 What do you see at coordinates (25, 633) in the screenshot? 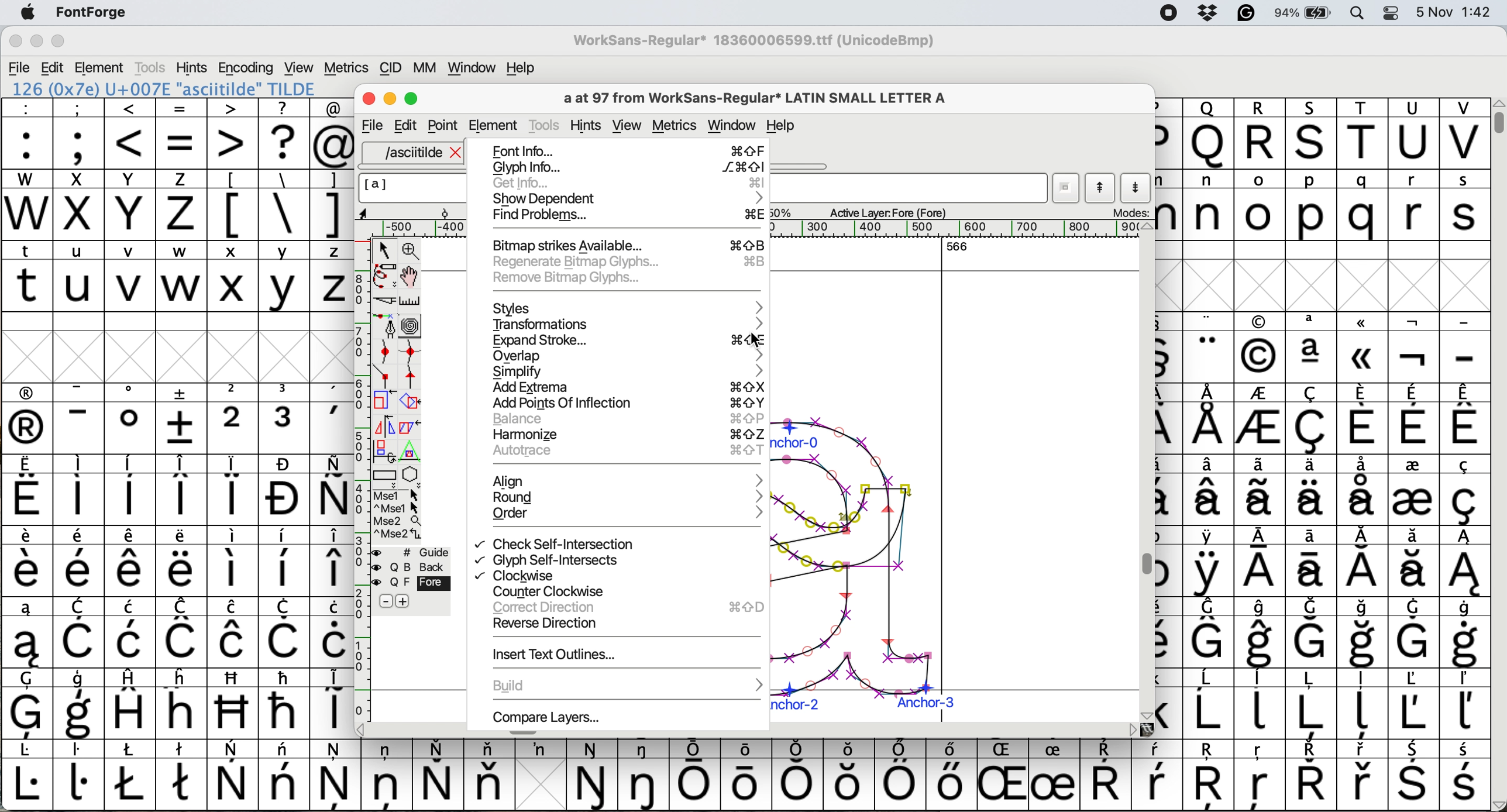
I see `symbol` at bounding box center [25, 633].